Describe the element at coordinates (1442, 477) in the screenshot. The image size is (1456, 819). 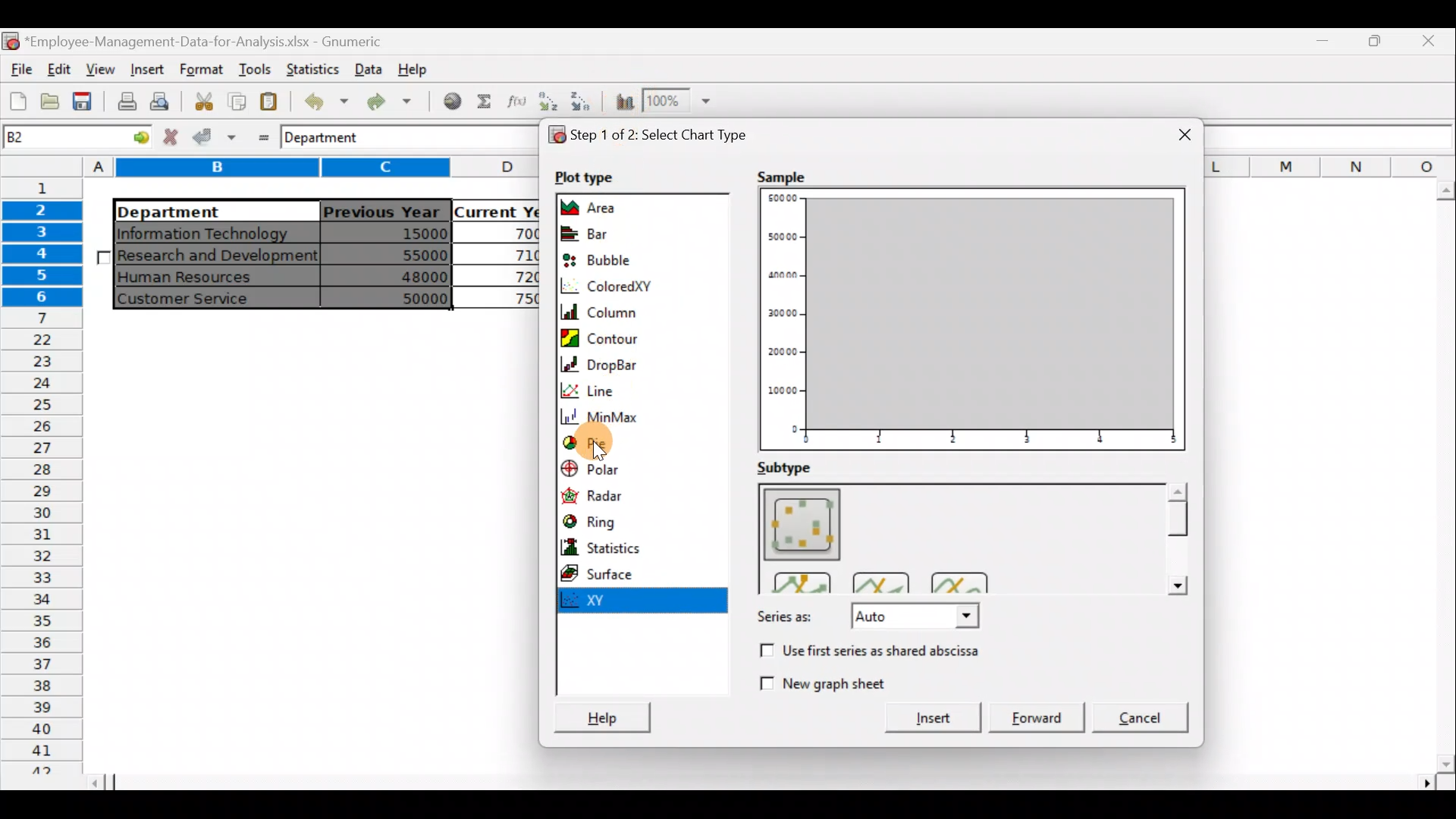
I see `Scroll bar` at that location.